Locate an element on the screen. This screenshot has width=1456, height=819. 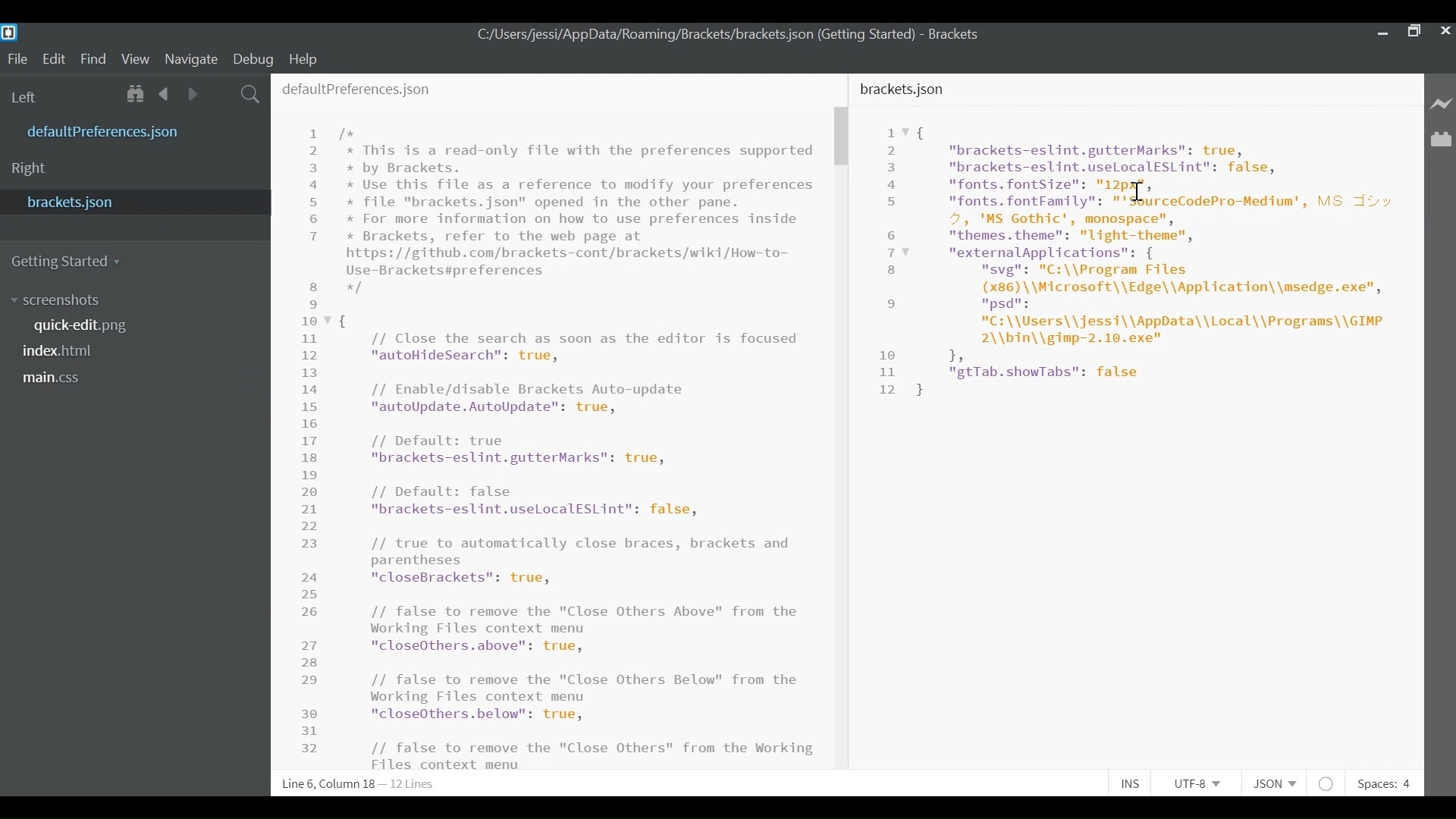
Find is located at coordinates (96, 60).